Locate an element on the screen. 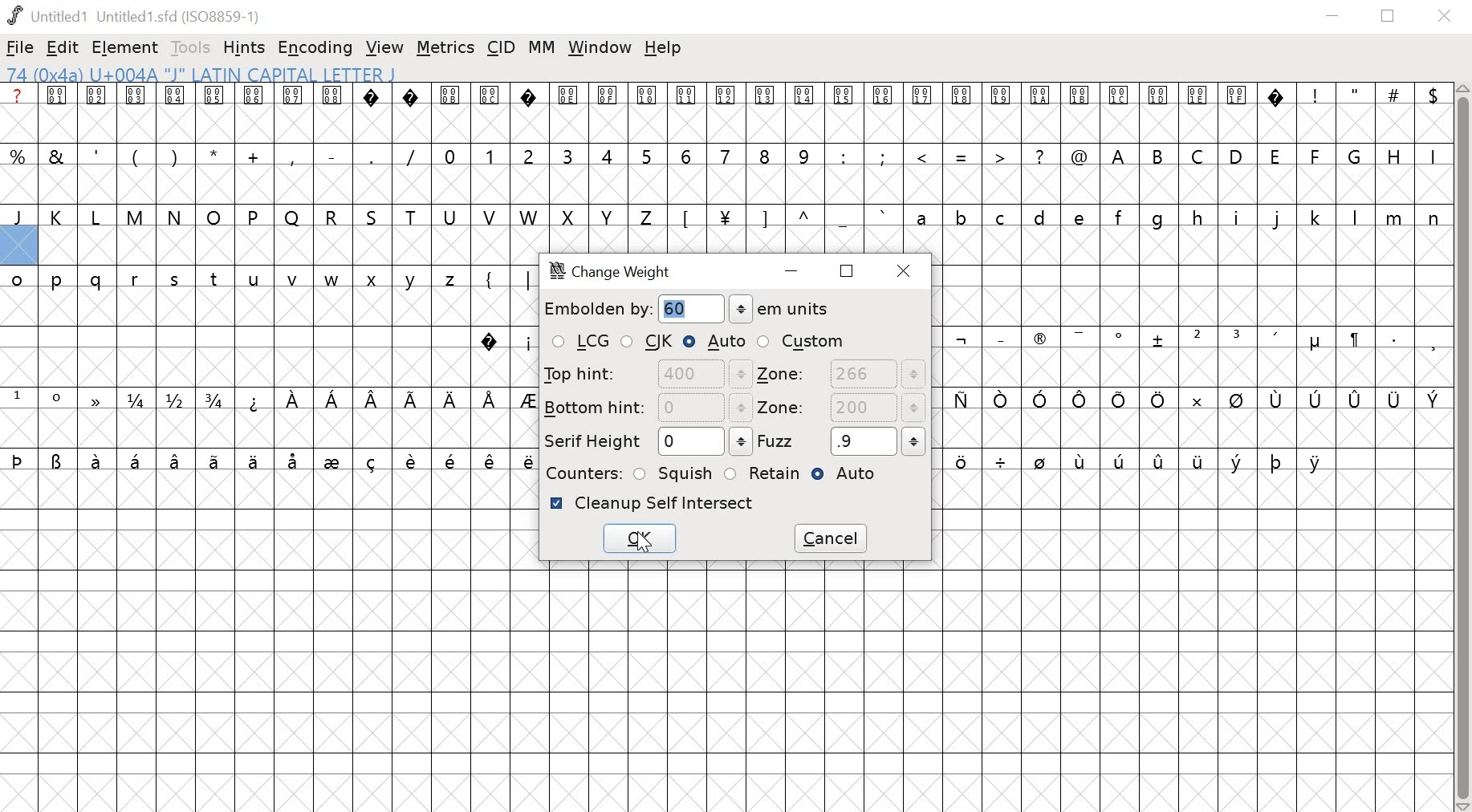  74 (0x4a) U+004A "J" LATIN CAPITAL LETTER J is located at coordinates (303, 74).